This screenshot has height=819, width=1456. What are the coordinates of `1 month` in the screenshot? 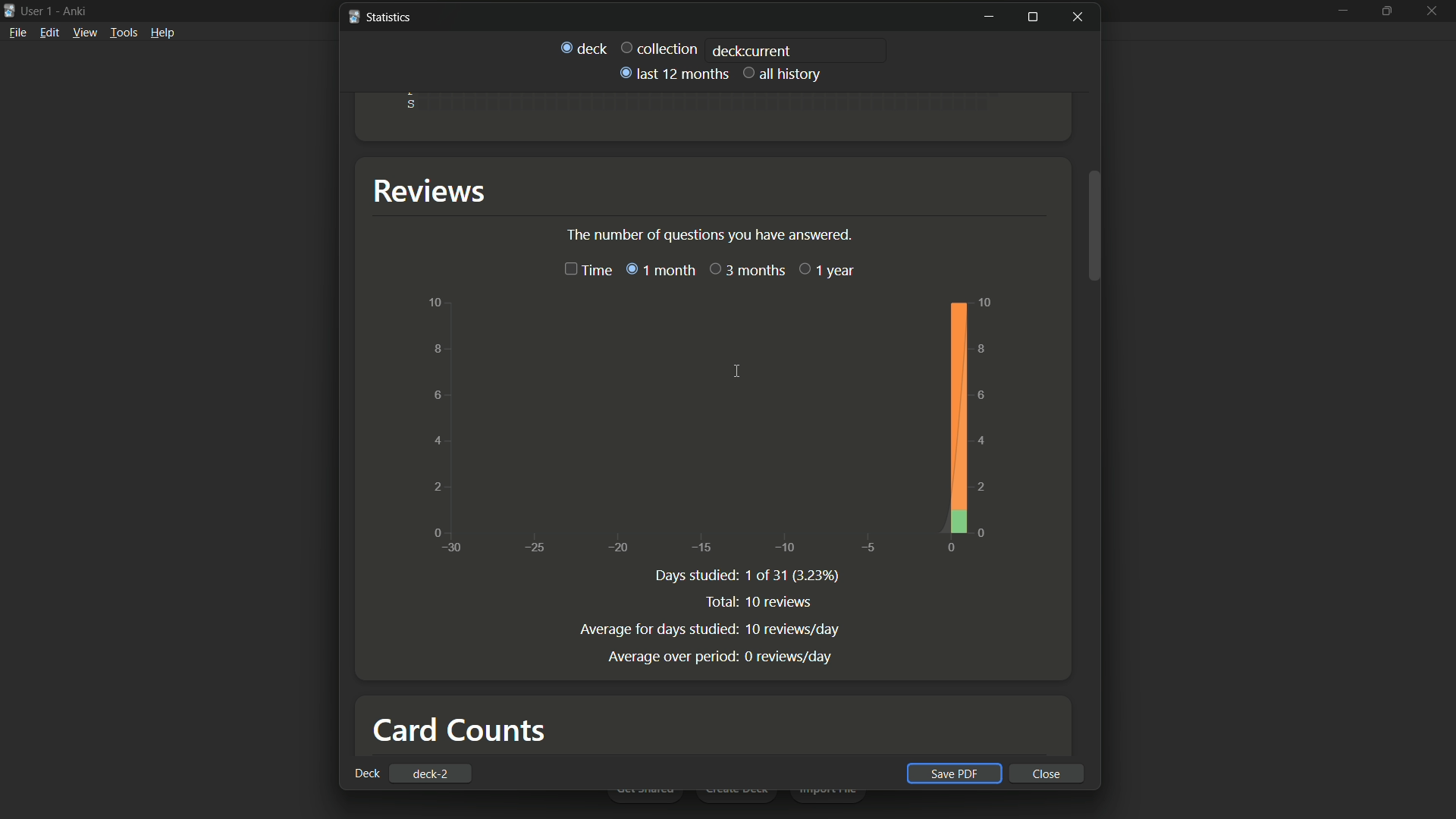 It's located at (659, 270).